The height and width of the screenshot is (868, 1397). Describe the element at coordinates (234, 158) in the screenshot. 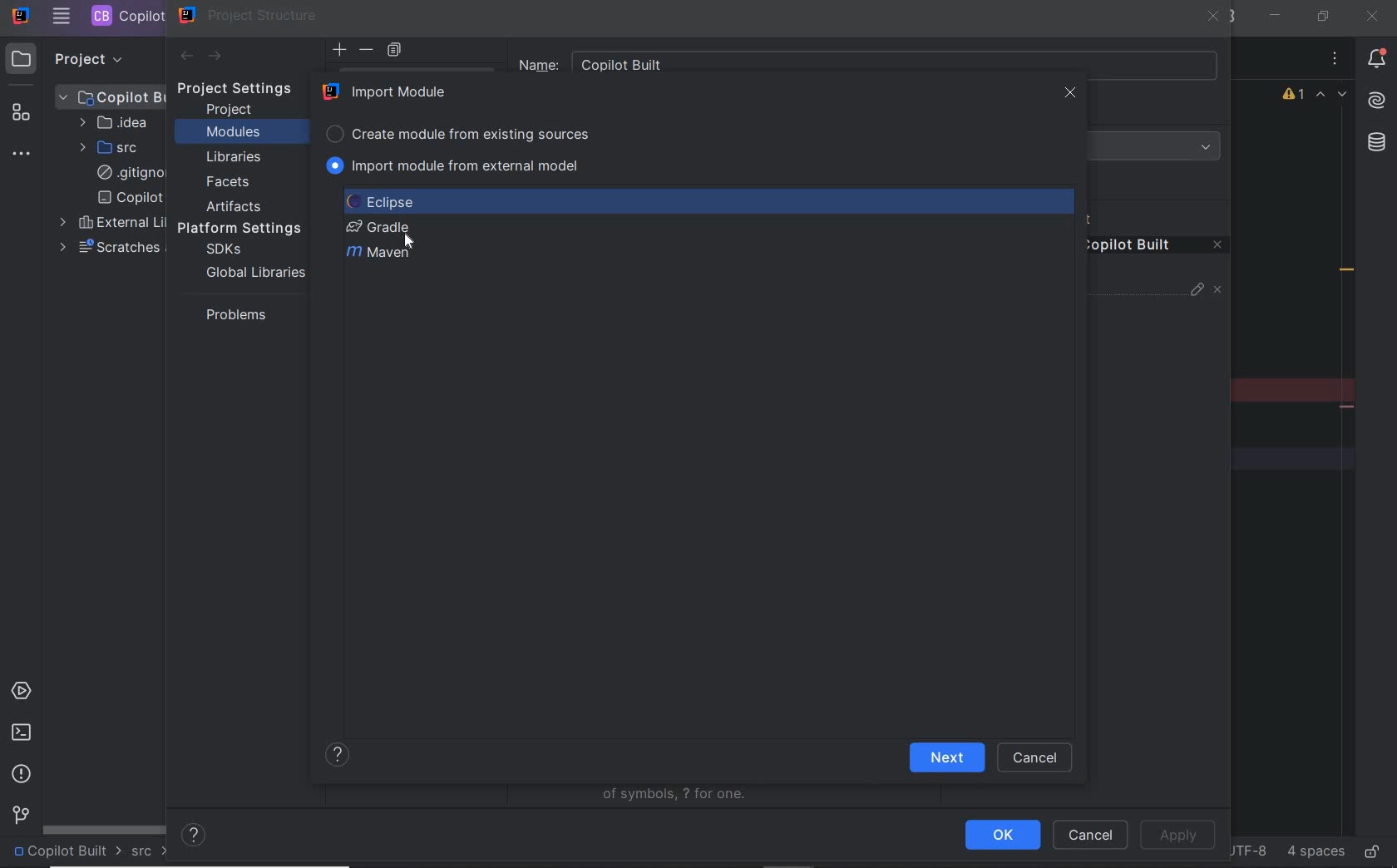

I see `libraries` at that location.